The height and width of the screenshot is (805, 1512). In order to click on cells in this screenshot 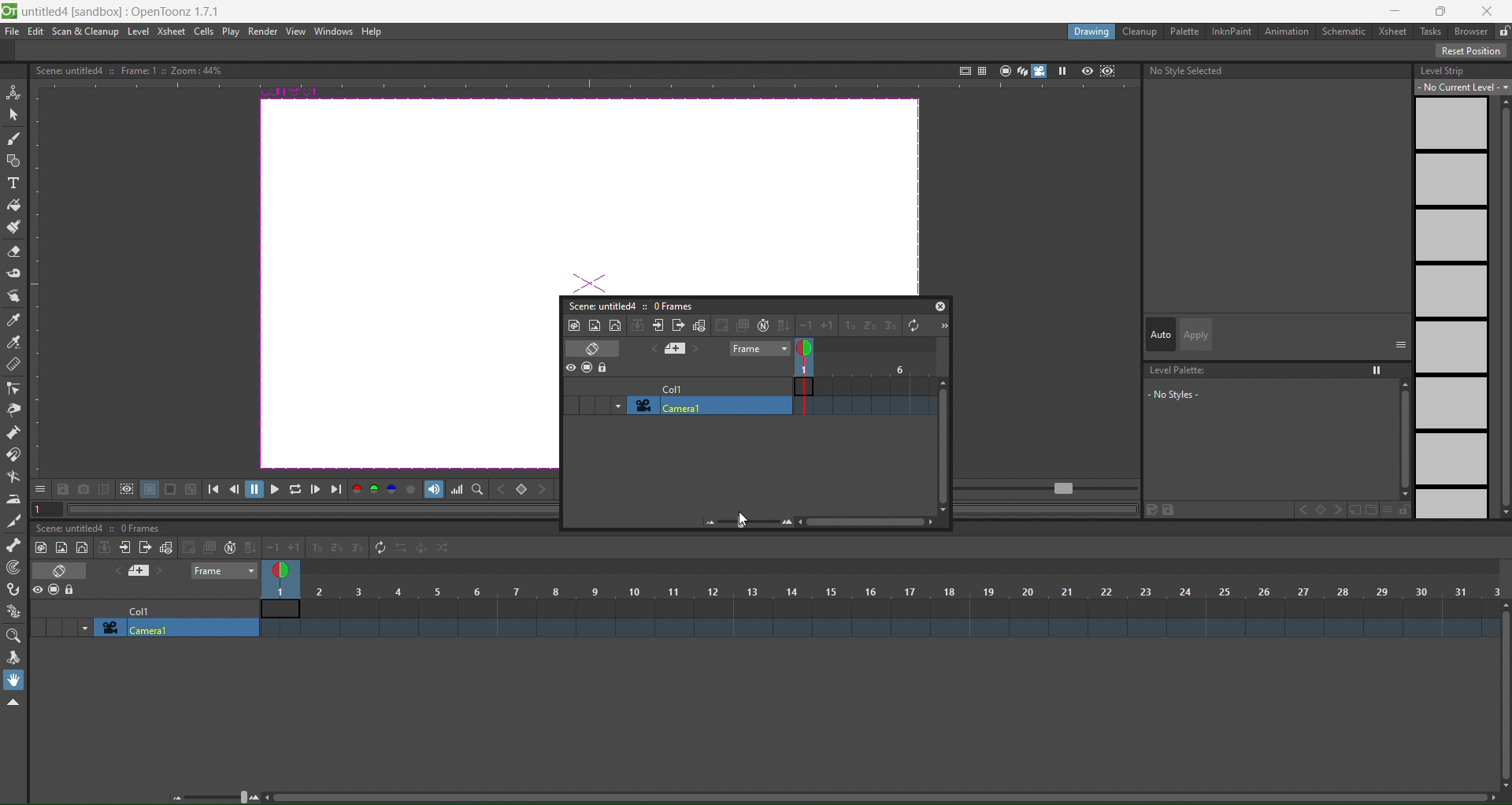, I will do `click(205, 31)`.